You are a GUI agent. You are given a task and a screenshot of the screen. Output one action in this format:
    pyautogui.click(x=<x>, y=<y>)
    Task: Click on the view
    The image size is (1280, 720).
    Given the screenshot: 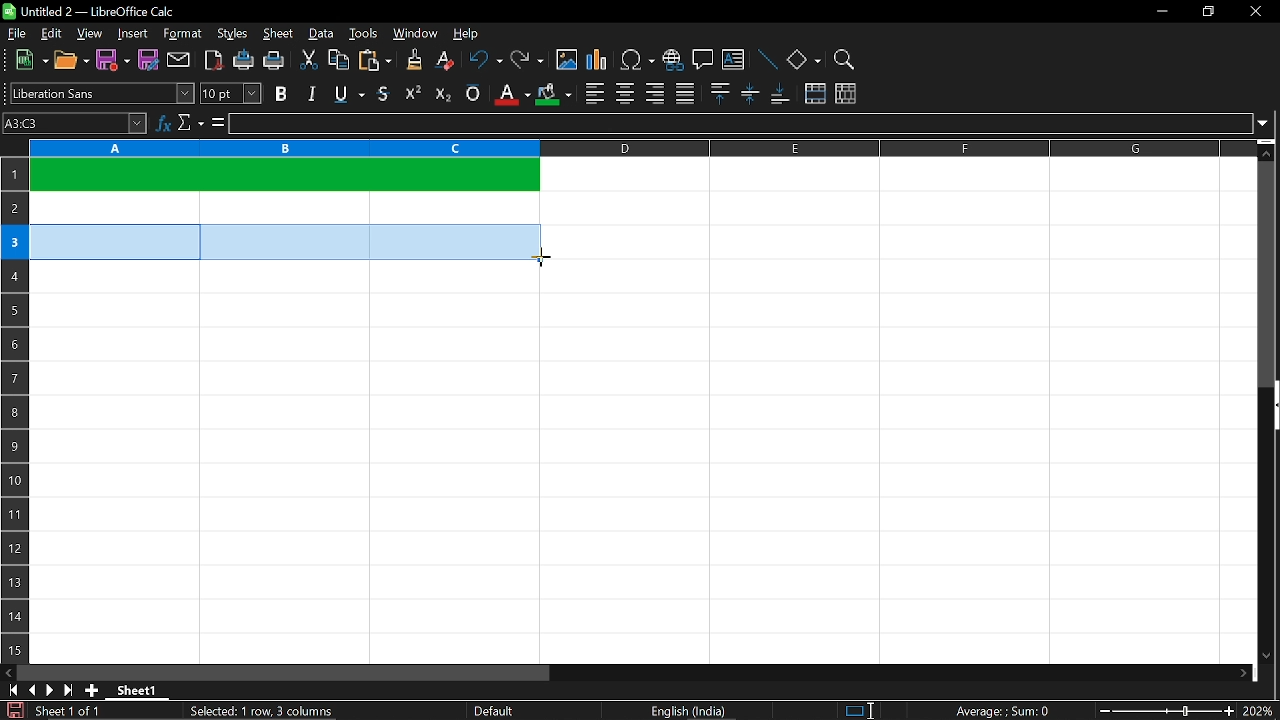 What is the action you would take?
    pyautogui.click(x=88, y=34)
    